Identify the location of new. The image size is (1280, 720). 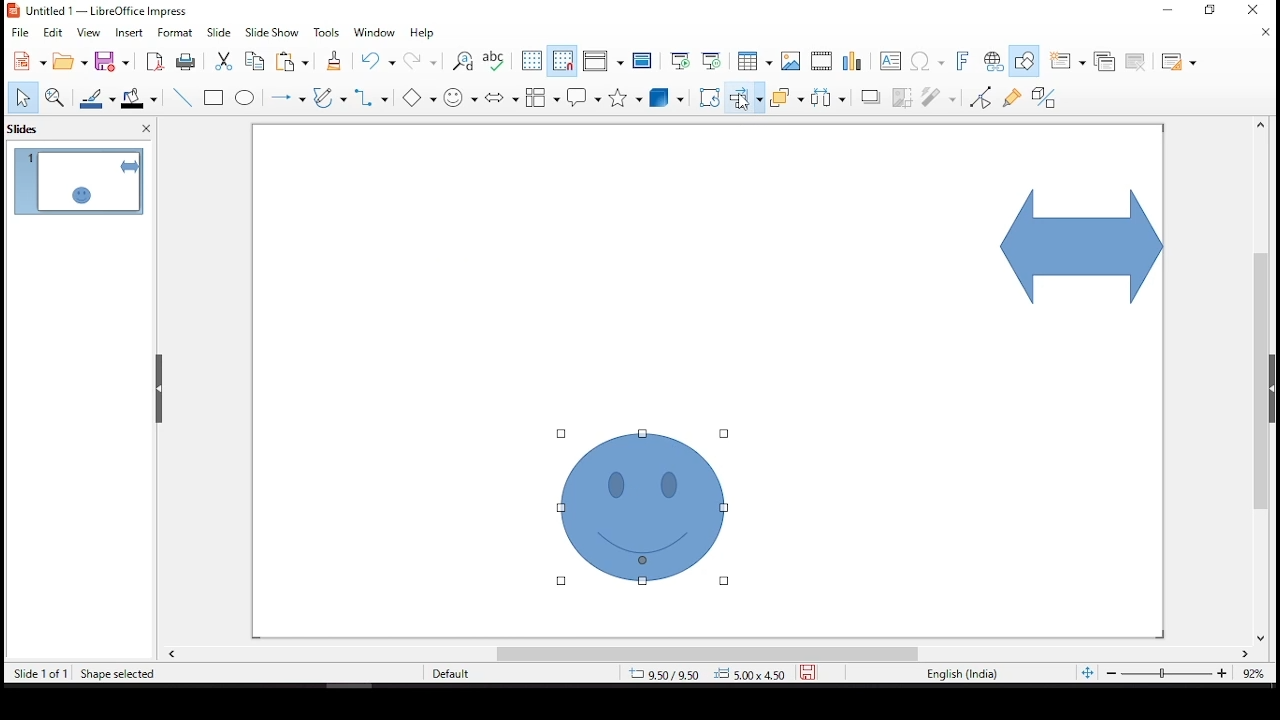
(25, 61).